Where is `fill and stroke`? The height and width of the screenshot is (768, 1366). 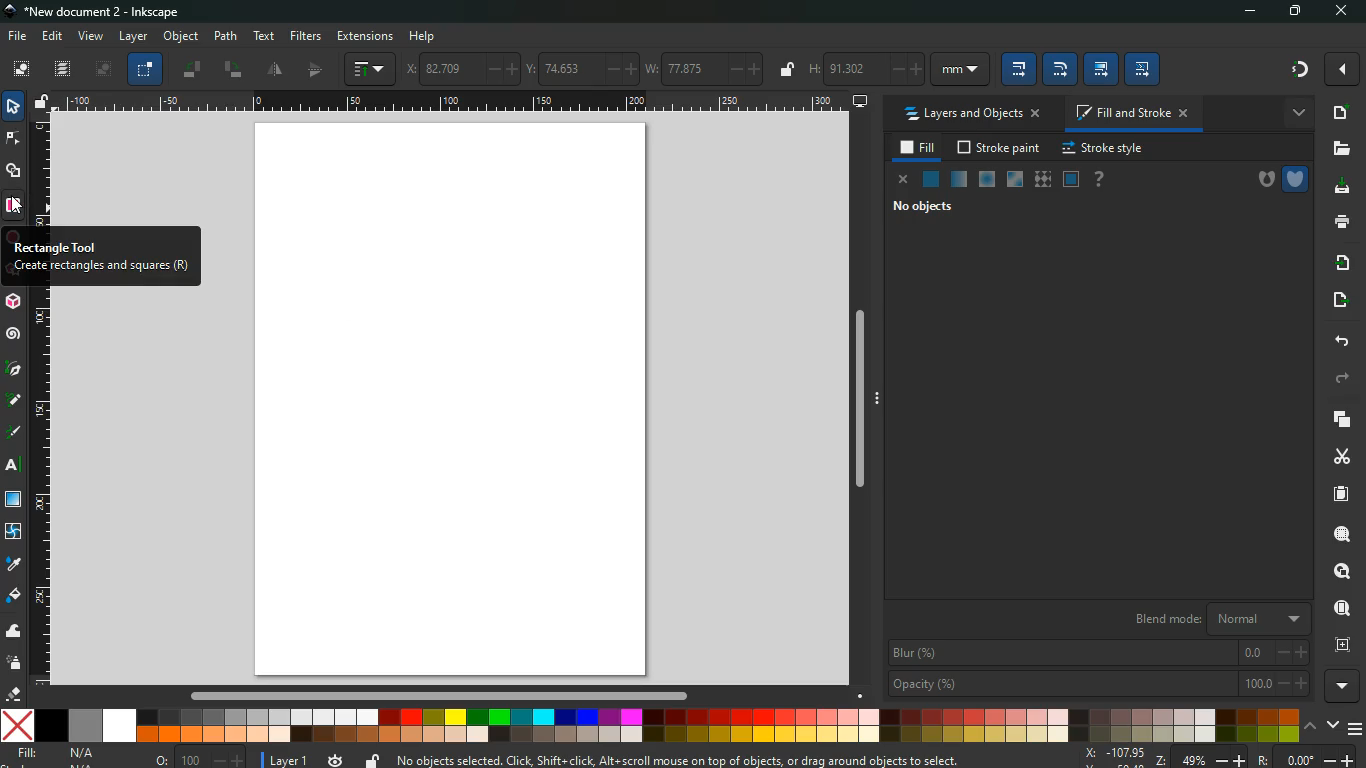 fill and stroke is located at coordinates (1132, 112).